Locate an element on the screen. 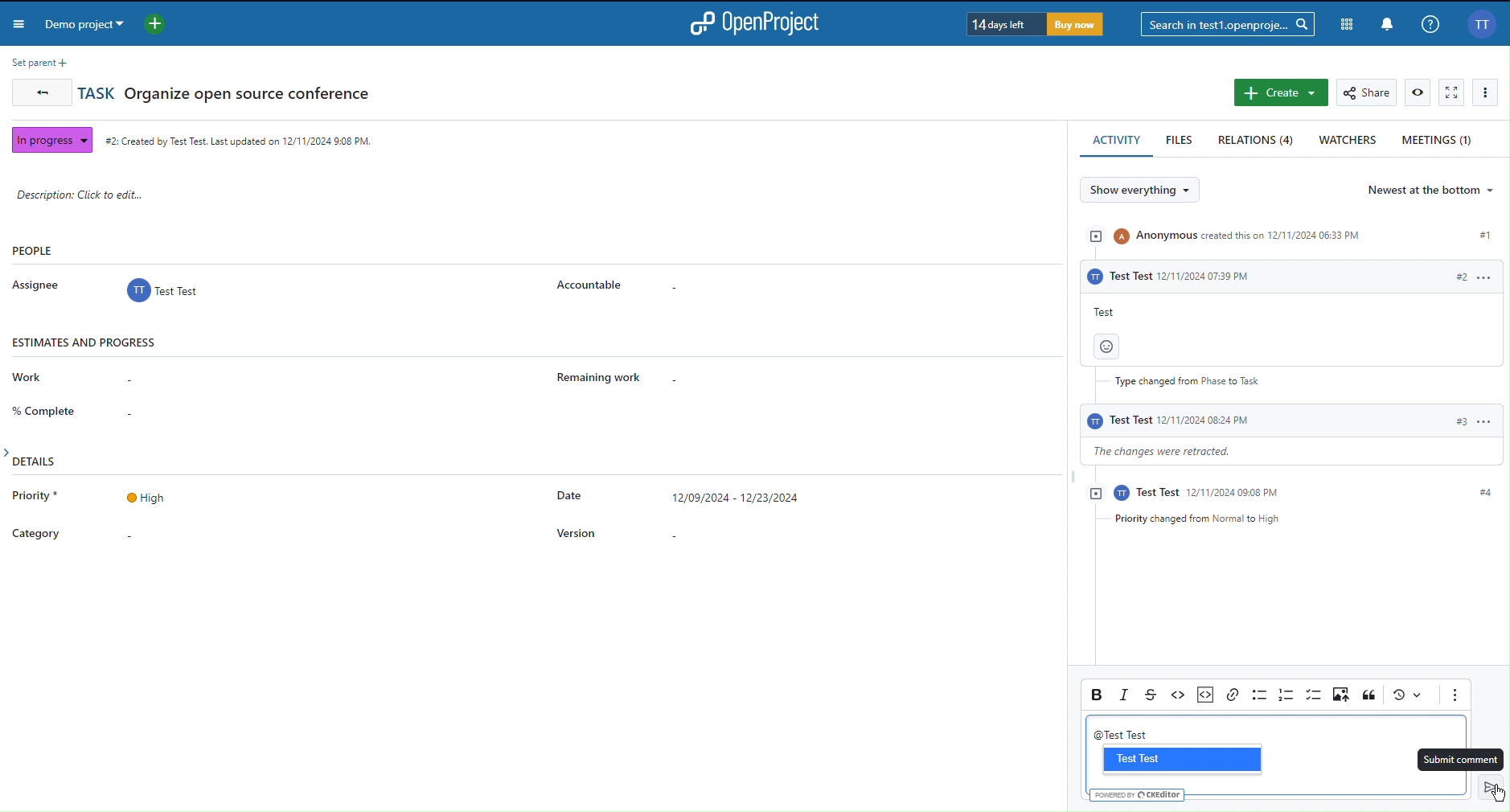 Image resolution: width=1510 pixels, height=812 pixels.  is located at coordinates (1145, 794).